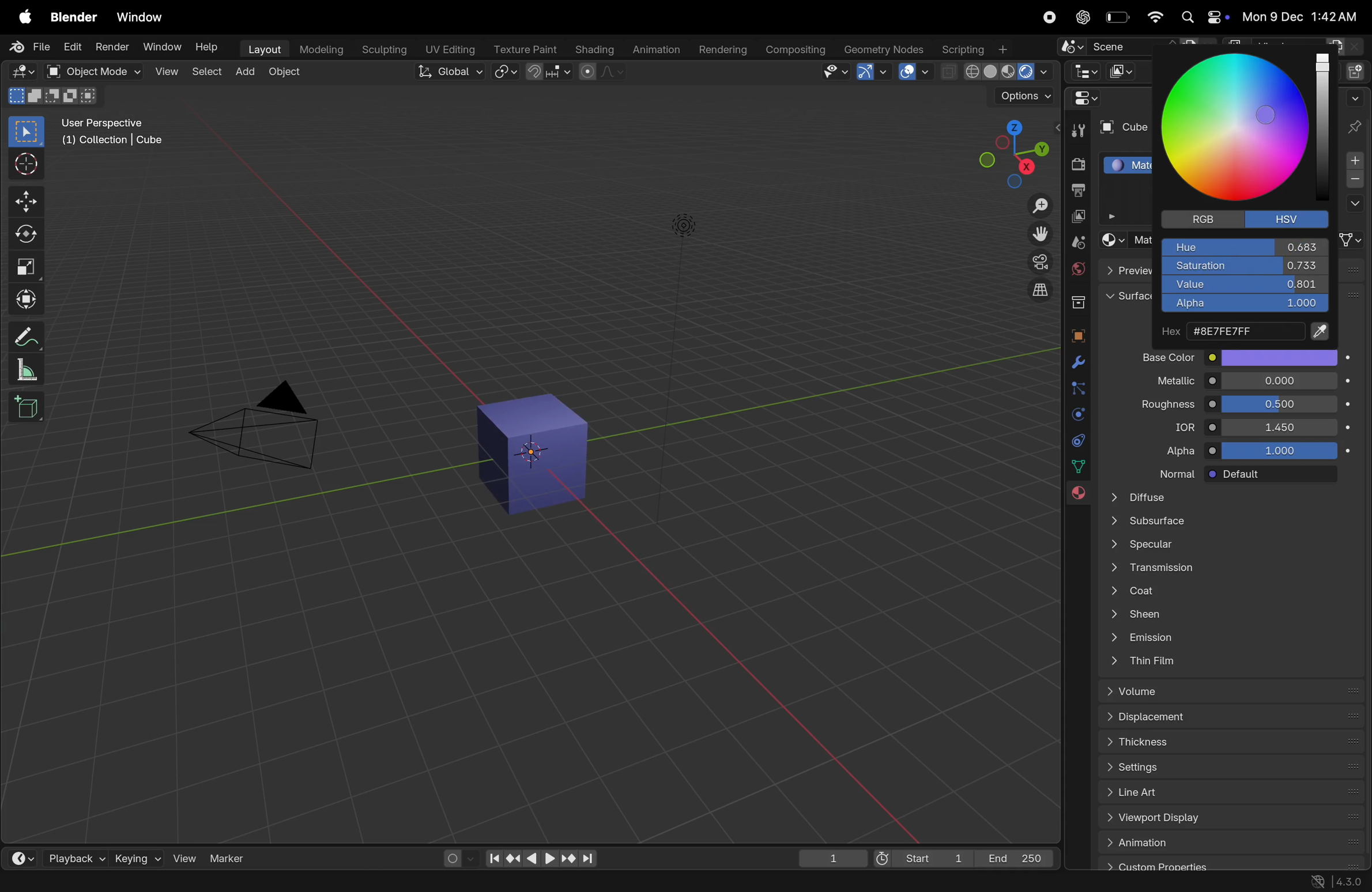  Describe the element at coordinates (536, 455) in the screenshot. I see `cube` at that location.